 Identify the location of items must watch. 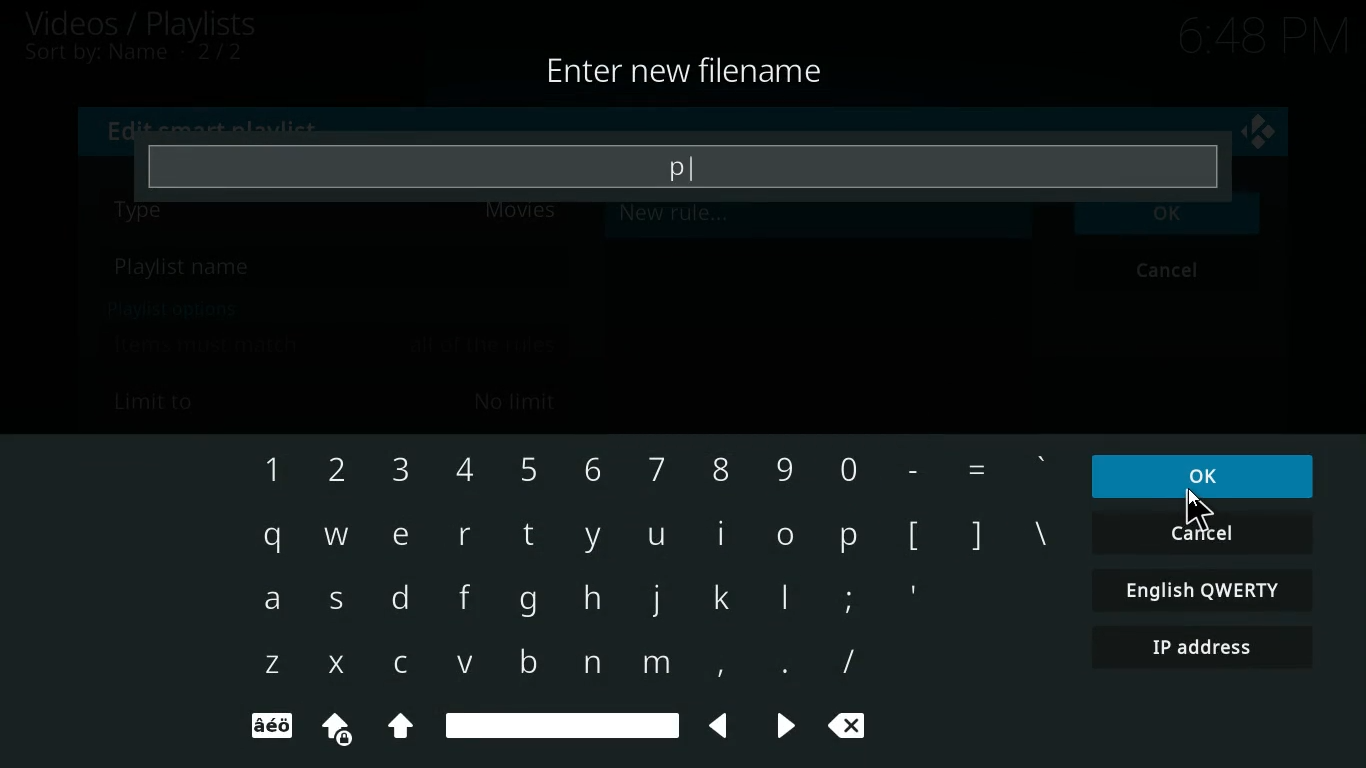
(335, 345).